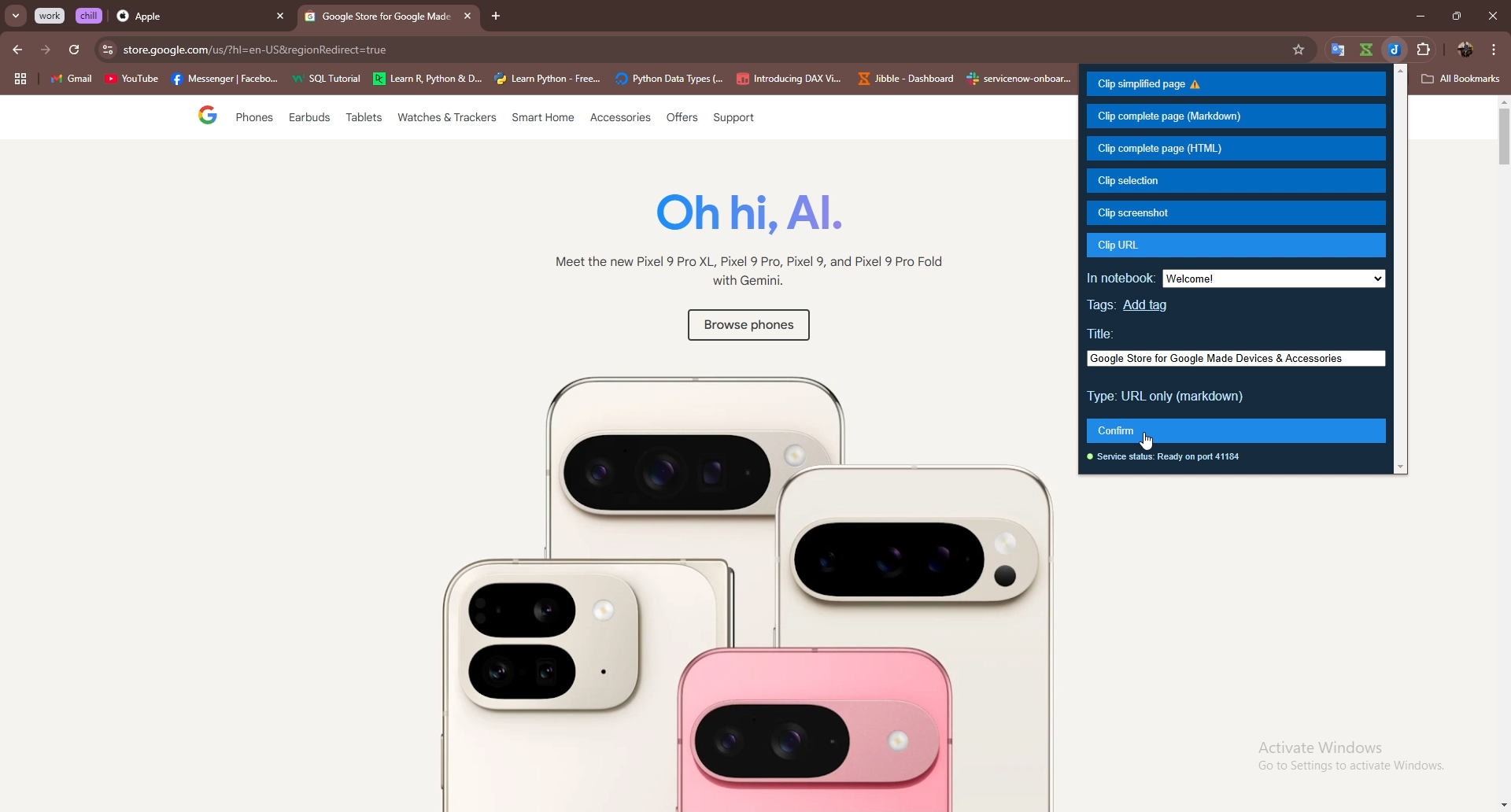 The image size is (1511, 812). What do you see at coordinates (1236, 430) in the screenshot?
I see `confirm` at bounding box center [1236, 430].